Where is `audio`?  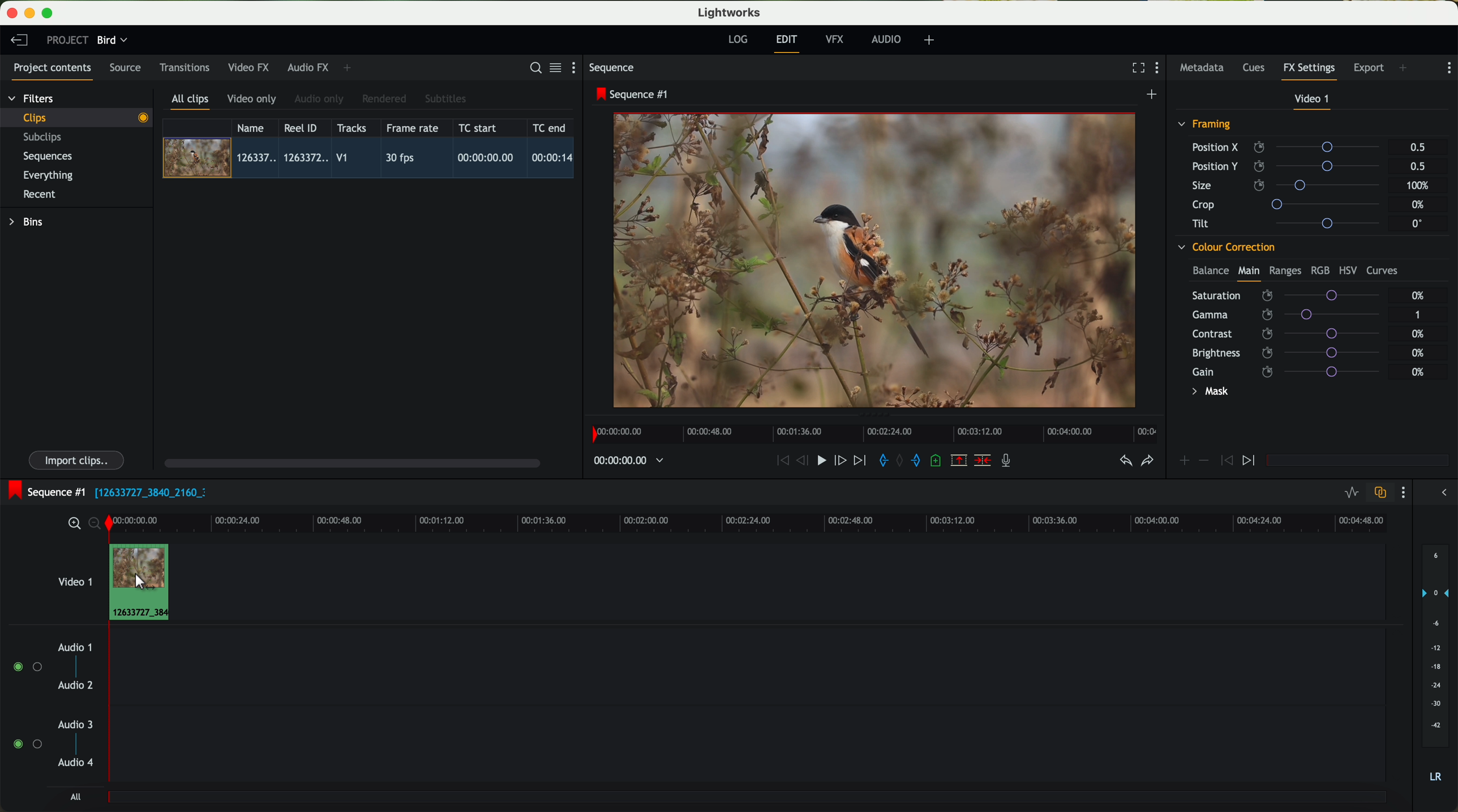 audio is located at coordinates (886, 39).